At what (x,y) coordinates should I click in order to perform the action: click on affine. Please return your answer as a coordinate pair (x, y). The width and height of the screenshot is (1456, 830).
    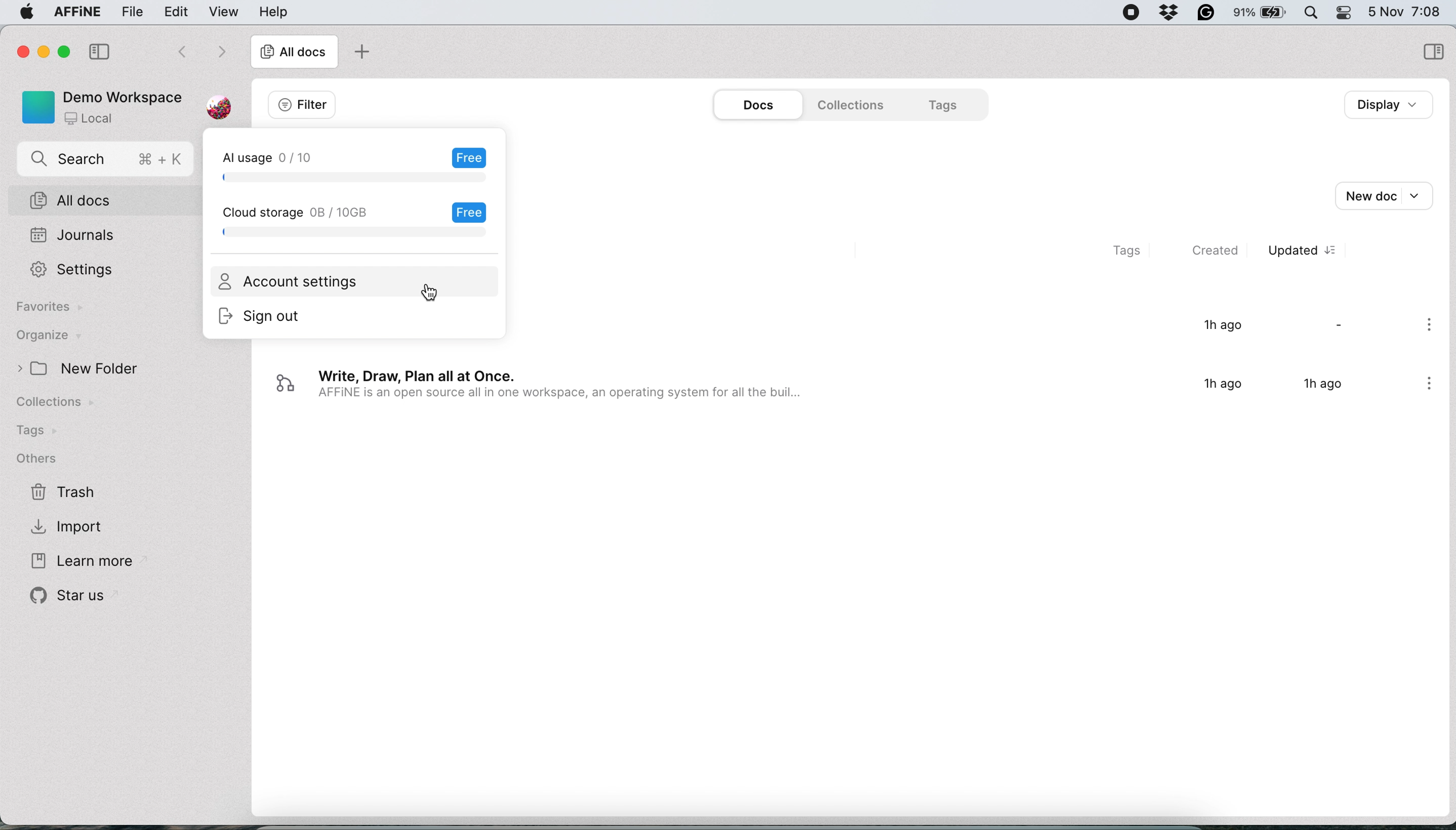
    Looking at the image, I should click on (76, 13).